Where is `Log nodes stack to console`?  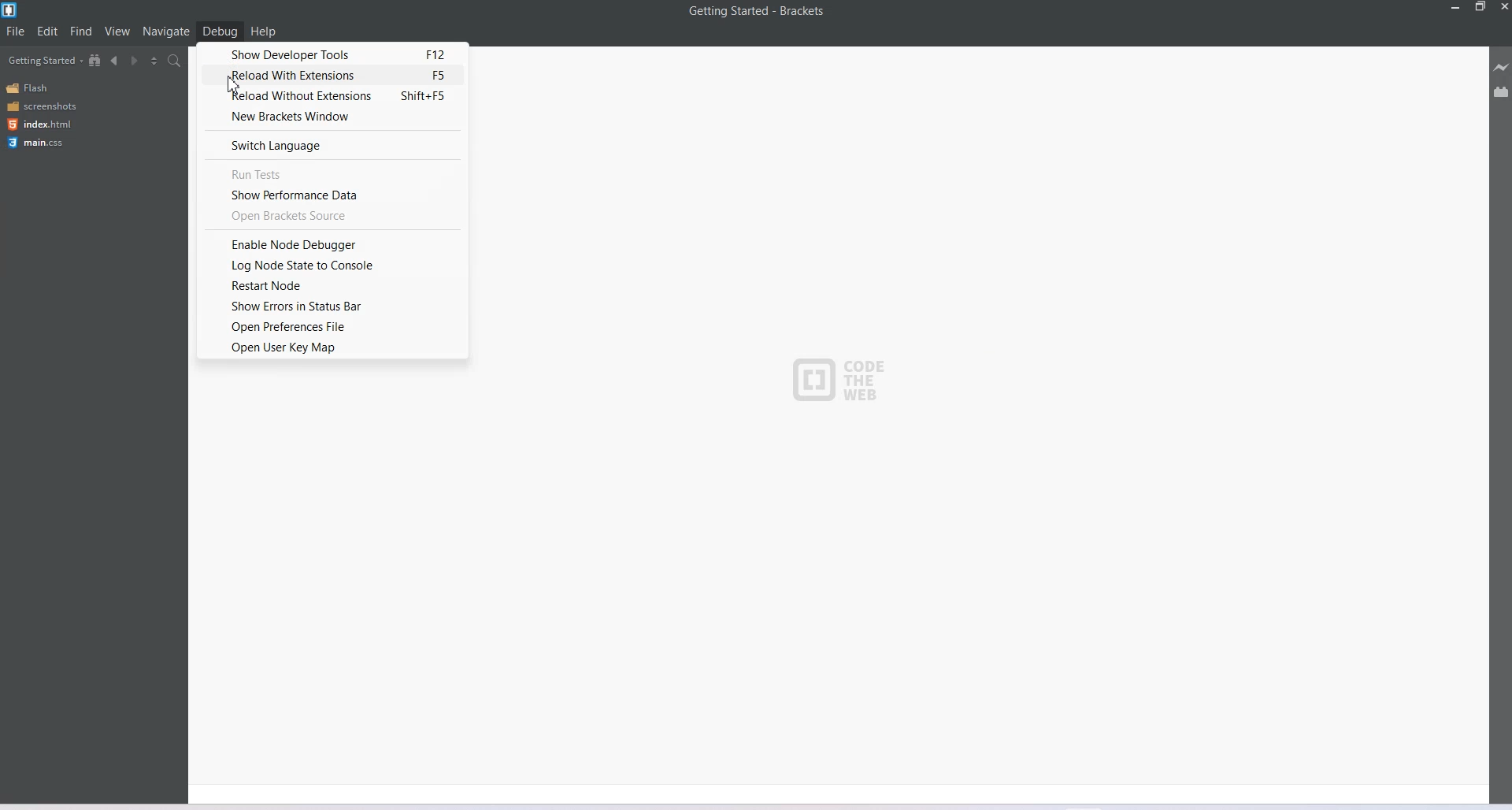 Log nodes stack to console is located at coordinates (328, 266).